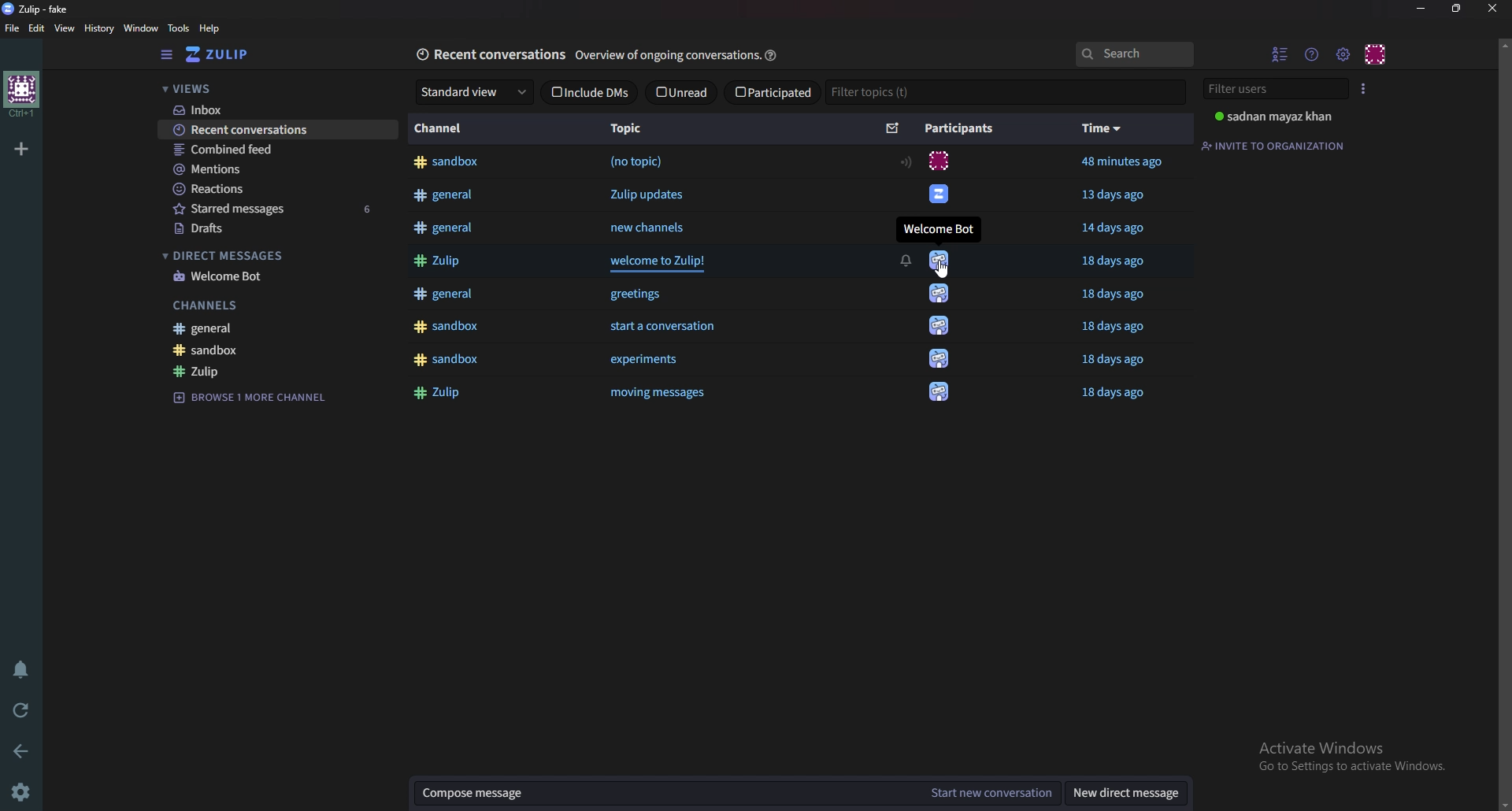  What do you see at coordinates (266, 87) in the screenshot?
I see `Views` at bounding box center [266, 87].